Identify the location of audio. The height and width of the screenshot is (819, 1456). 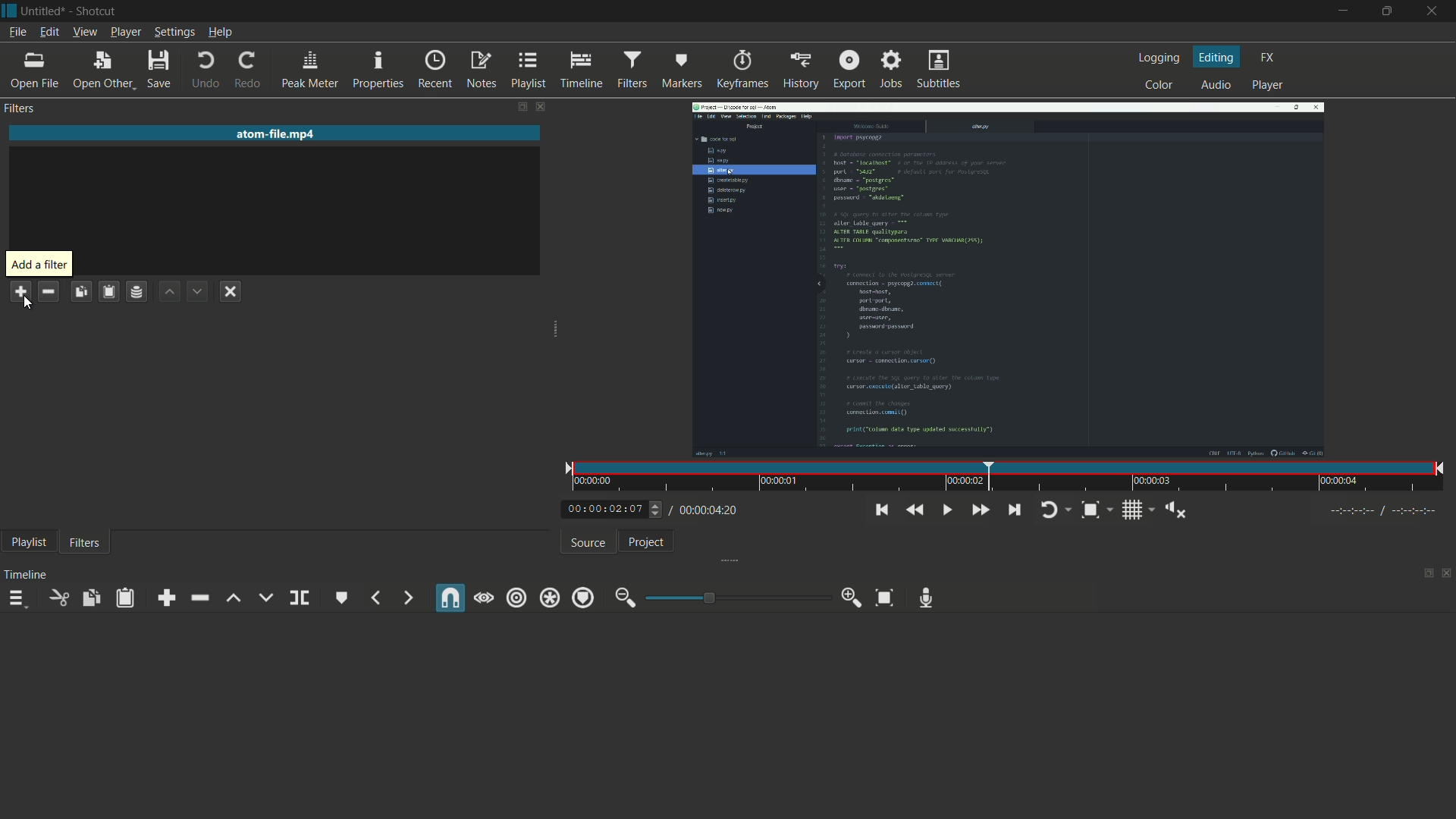
(1219, 85).